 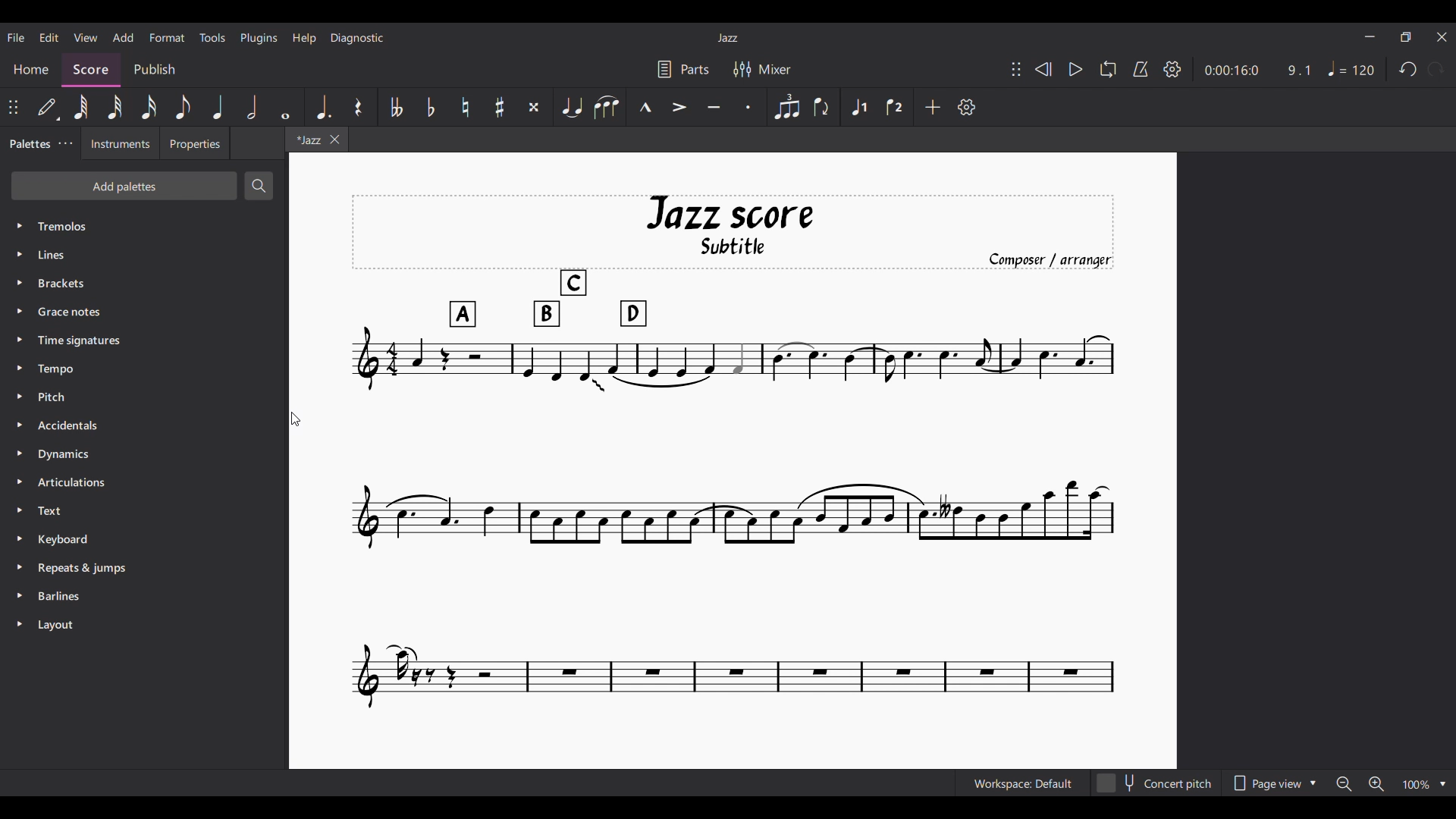 I want to click on Properties, so click(x=194, y=143).